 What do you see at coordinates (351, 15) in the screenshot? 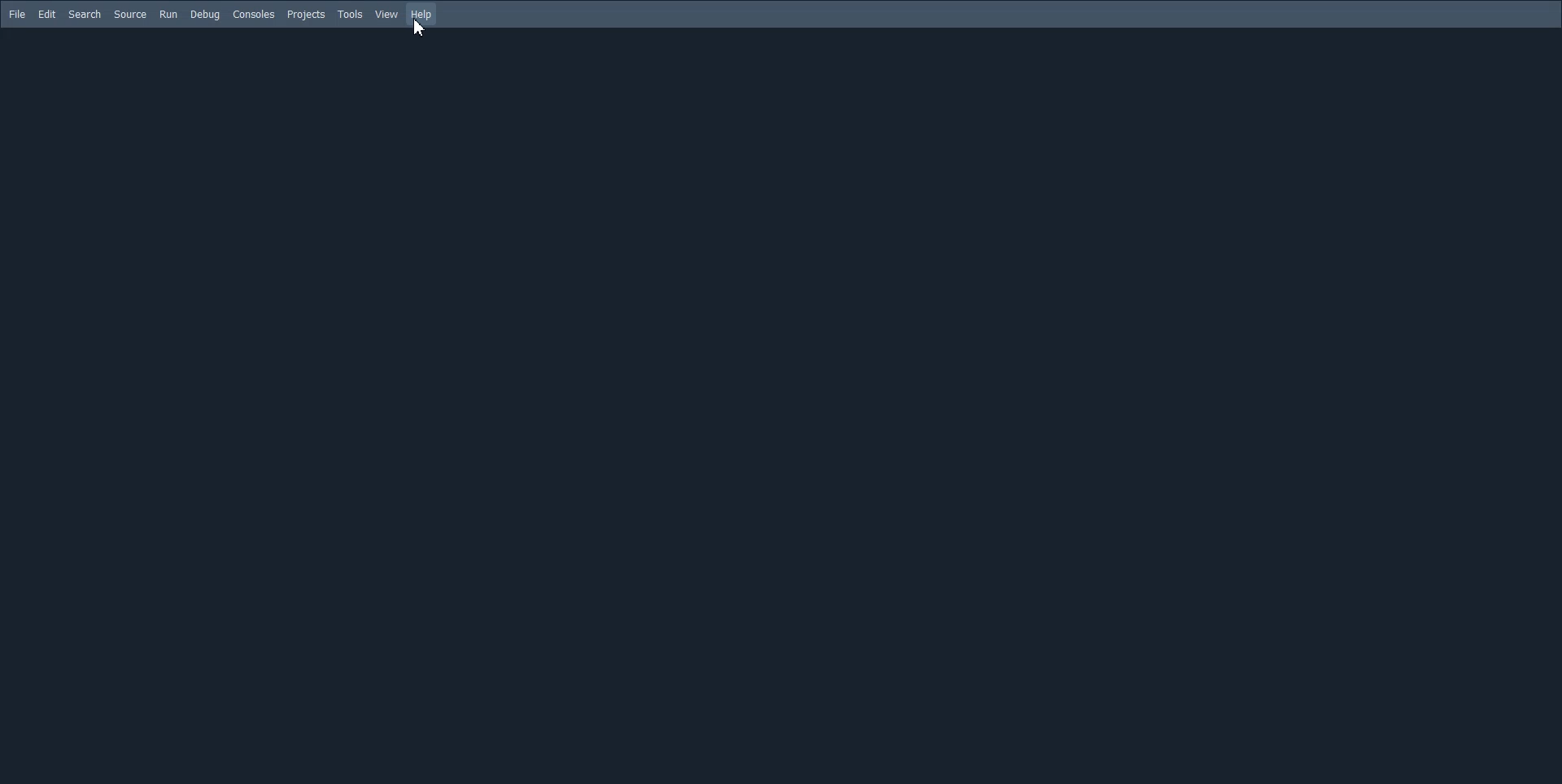
I see `Tools` at bounding box center [351, 15].